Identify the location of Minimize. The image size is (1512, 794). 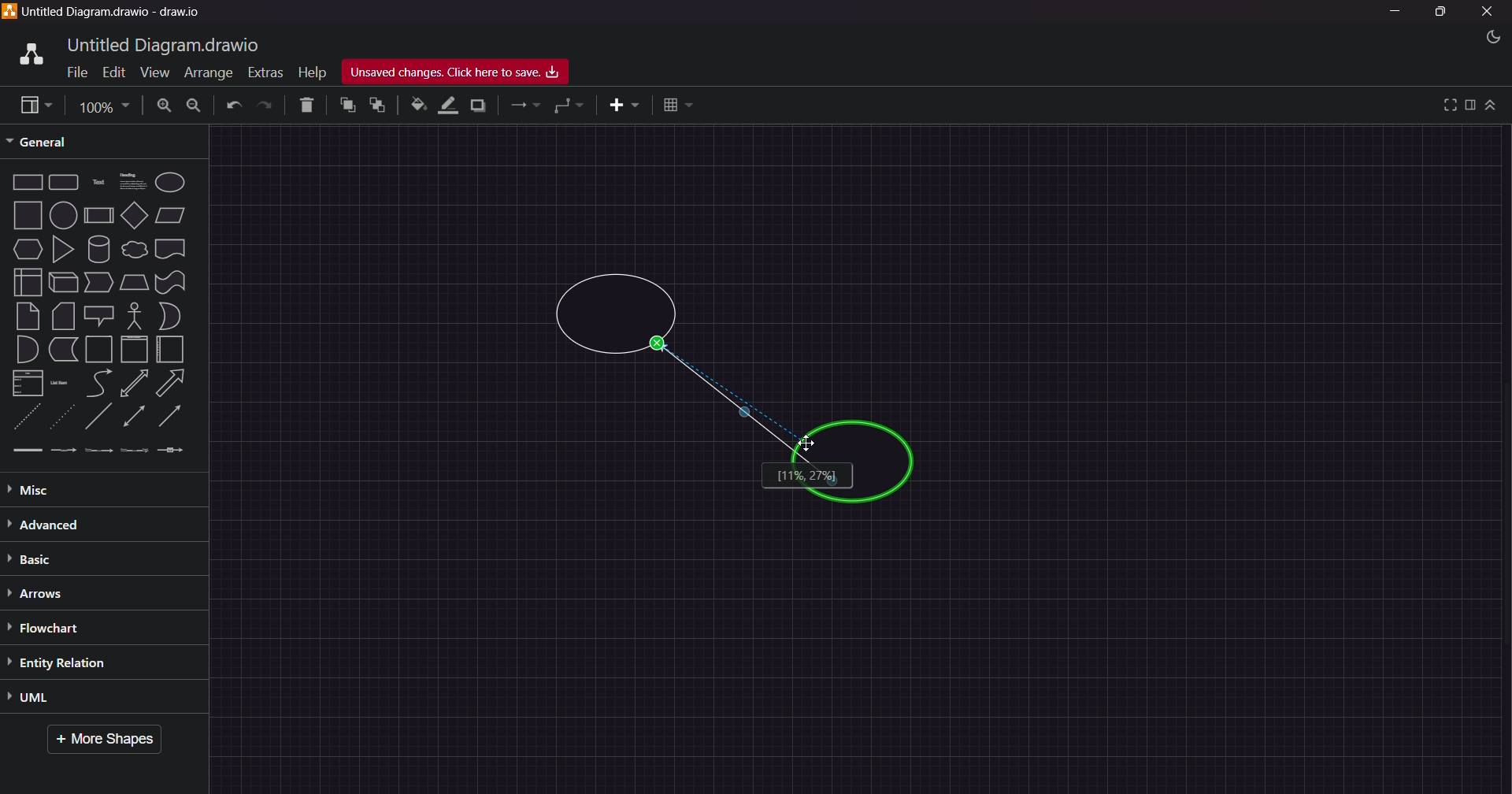
(1399, 13).